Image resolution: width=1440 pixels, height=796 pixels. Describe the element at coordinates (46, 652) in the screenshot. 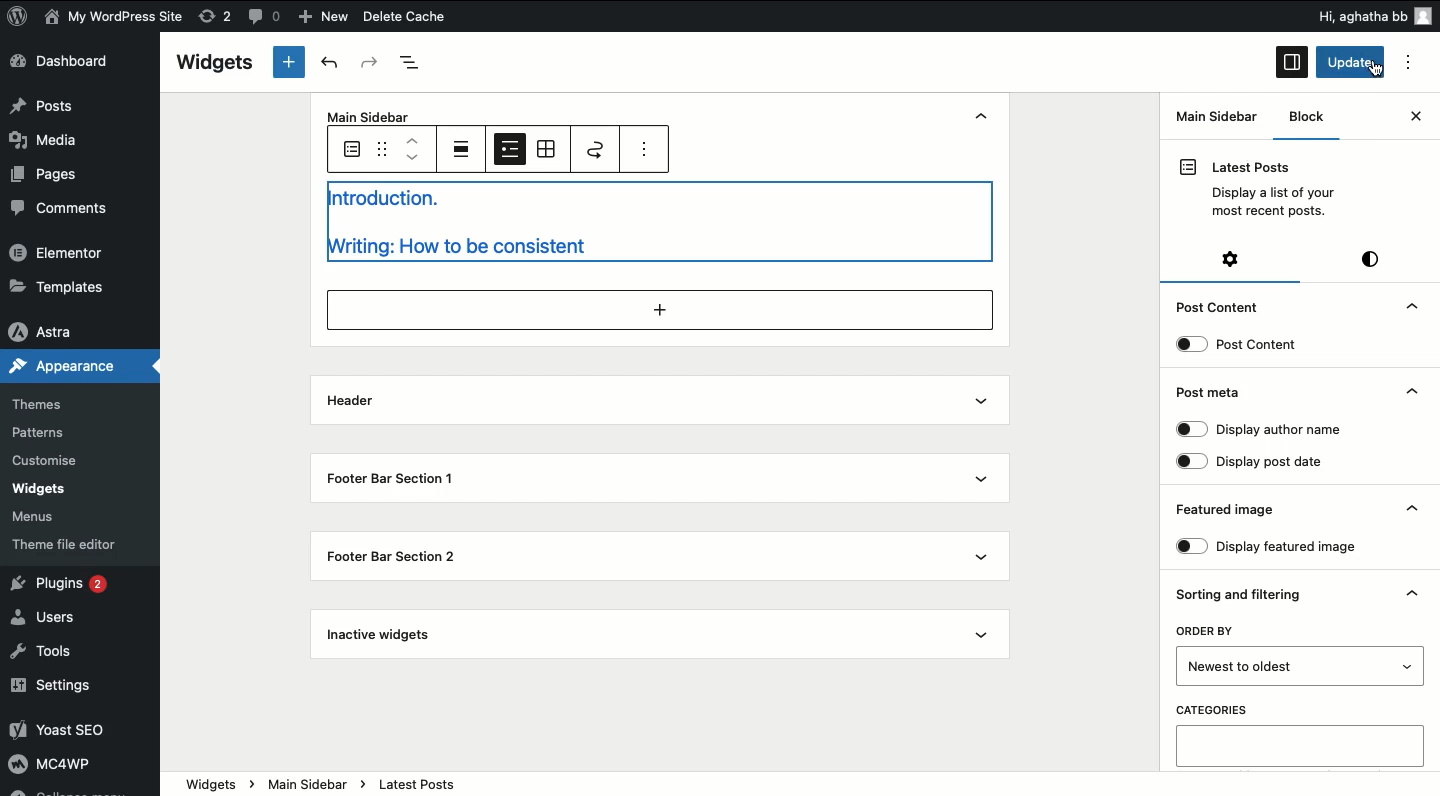

I see `Tools` at that location.